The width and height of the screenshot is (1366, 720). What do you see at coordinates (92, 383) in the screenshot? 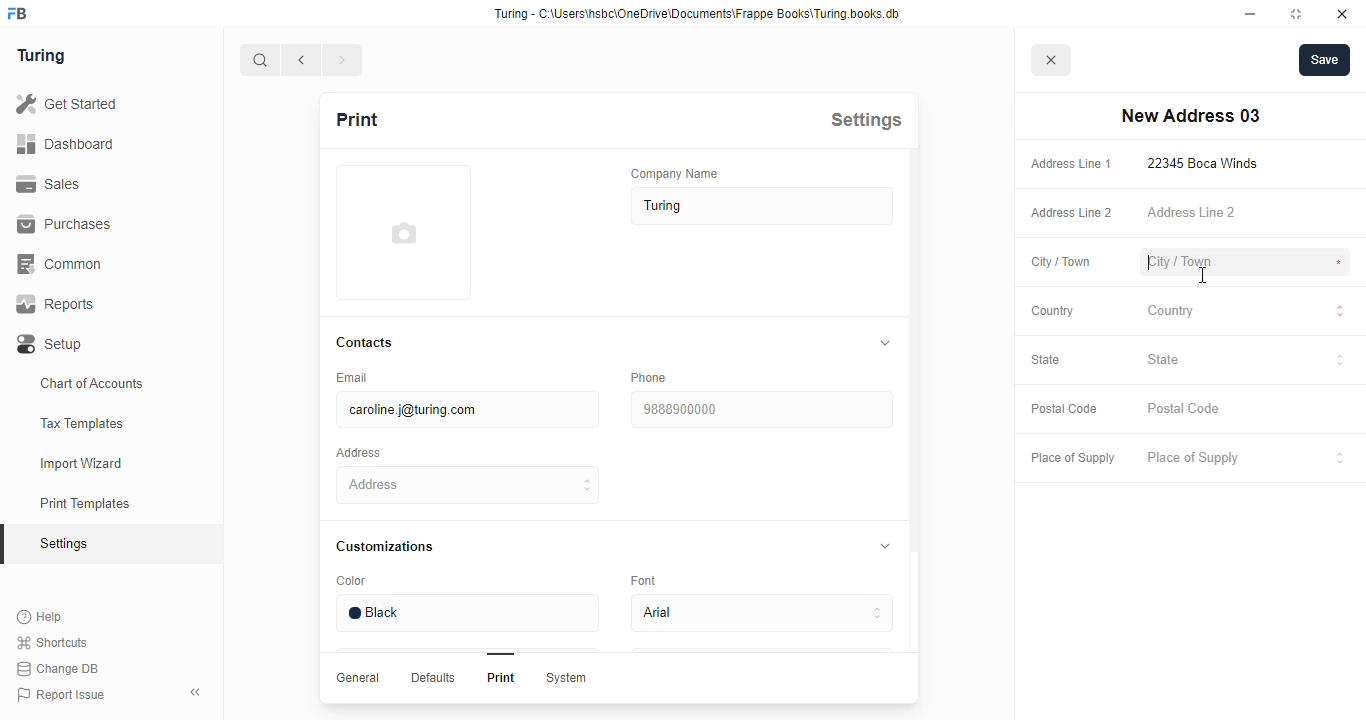
I see `chart of accounts` at bounding box center [92, 383].